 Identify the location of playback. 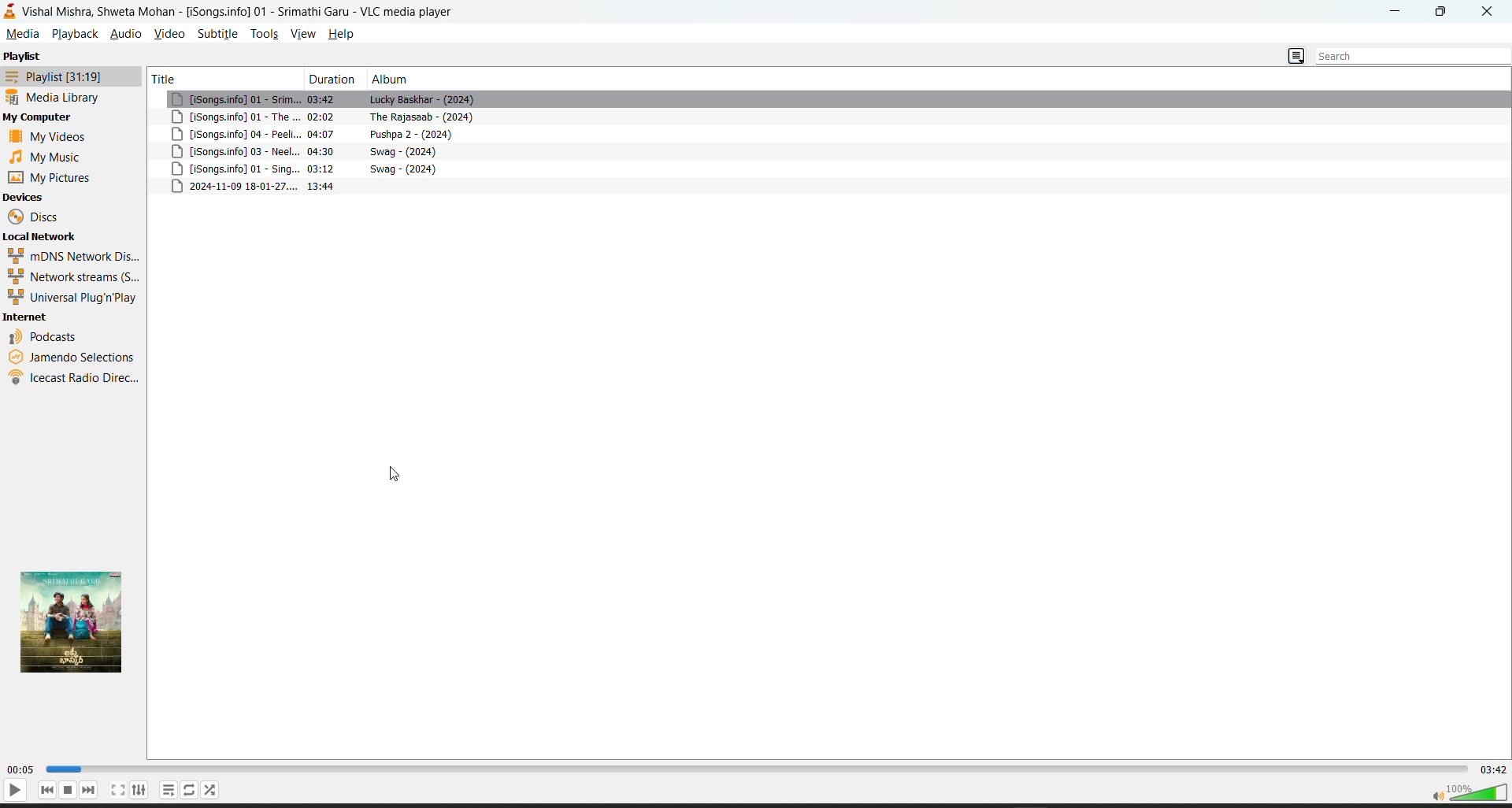
(74, 34).